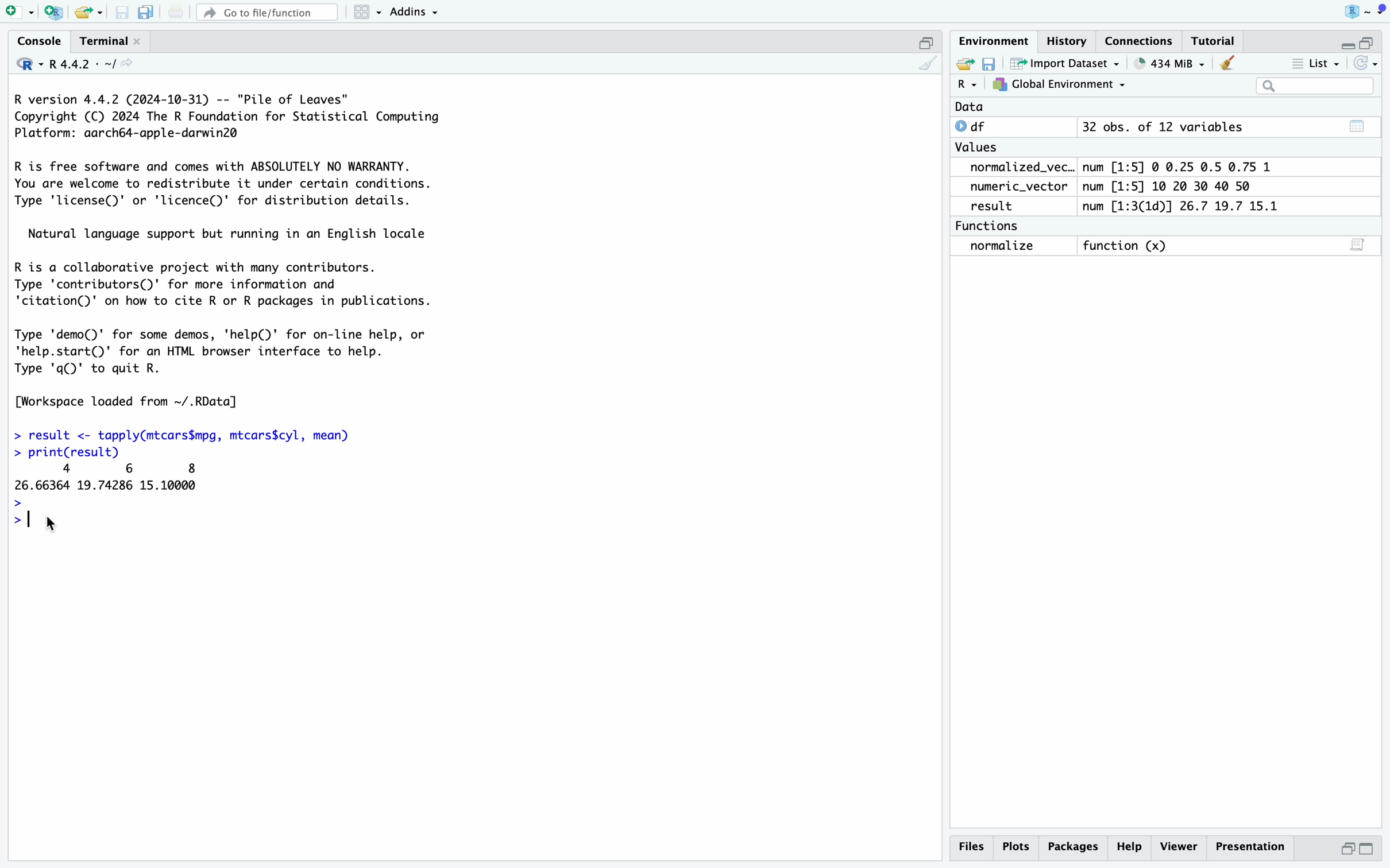  Describe the element at coordinates (1228, 64) in the screenshot. I see `Clear` at that location.